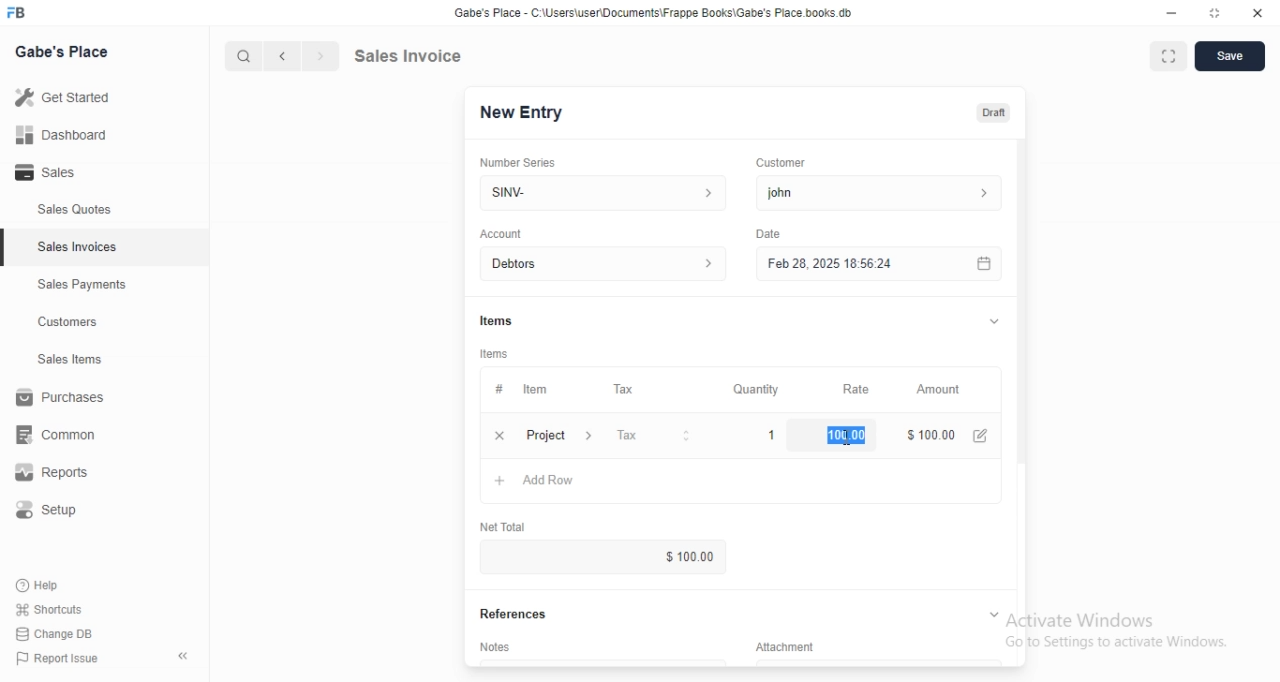 The width and height of the screenshot is (1280, 682). Describe the element at coordinates (501, 233) in the screenshot. I see `‘Account` at that location.